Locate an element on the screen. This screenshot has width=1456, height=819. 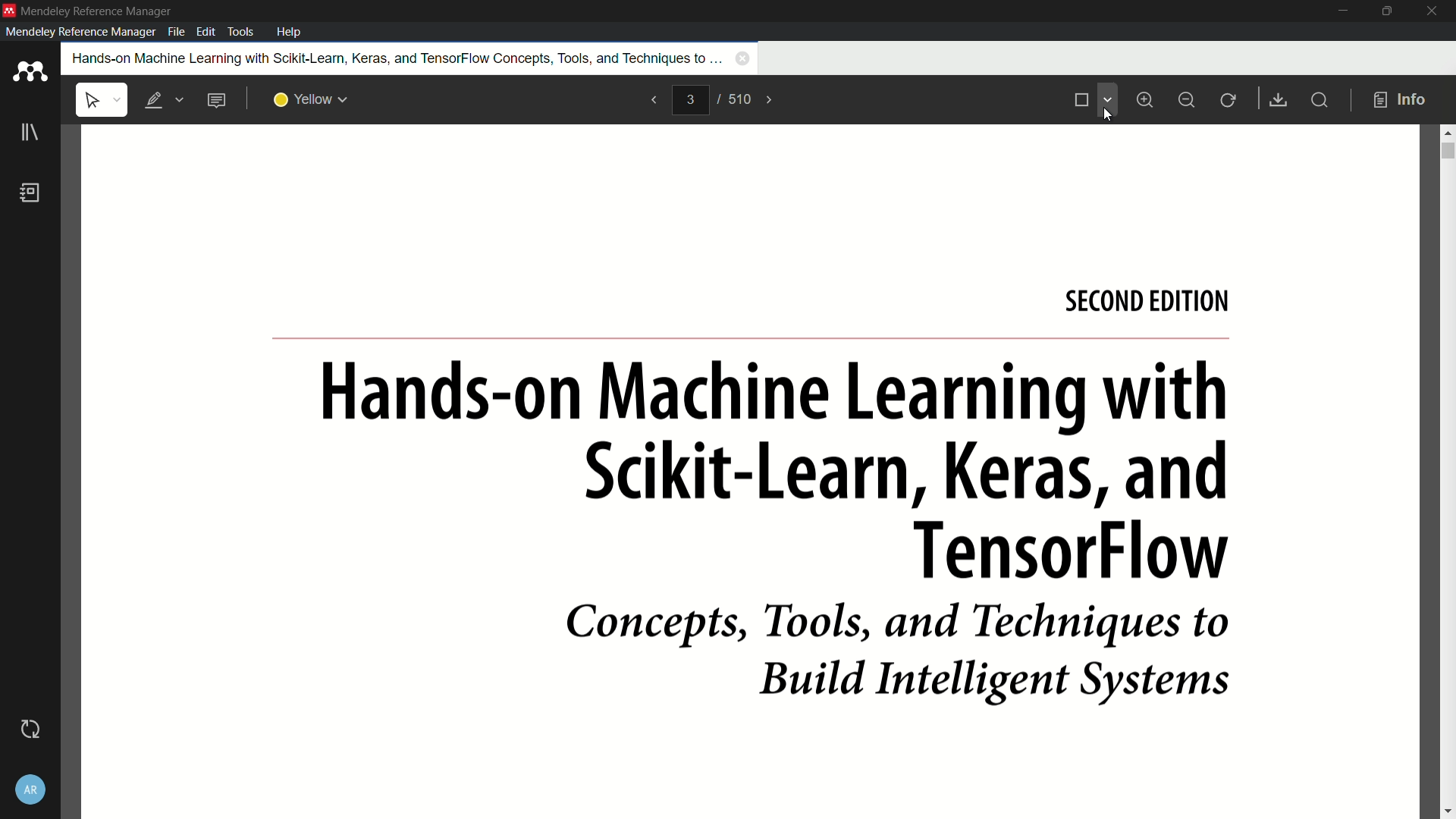
tools menu is located at coordinates (243, 32).